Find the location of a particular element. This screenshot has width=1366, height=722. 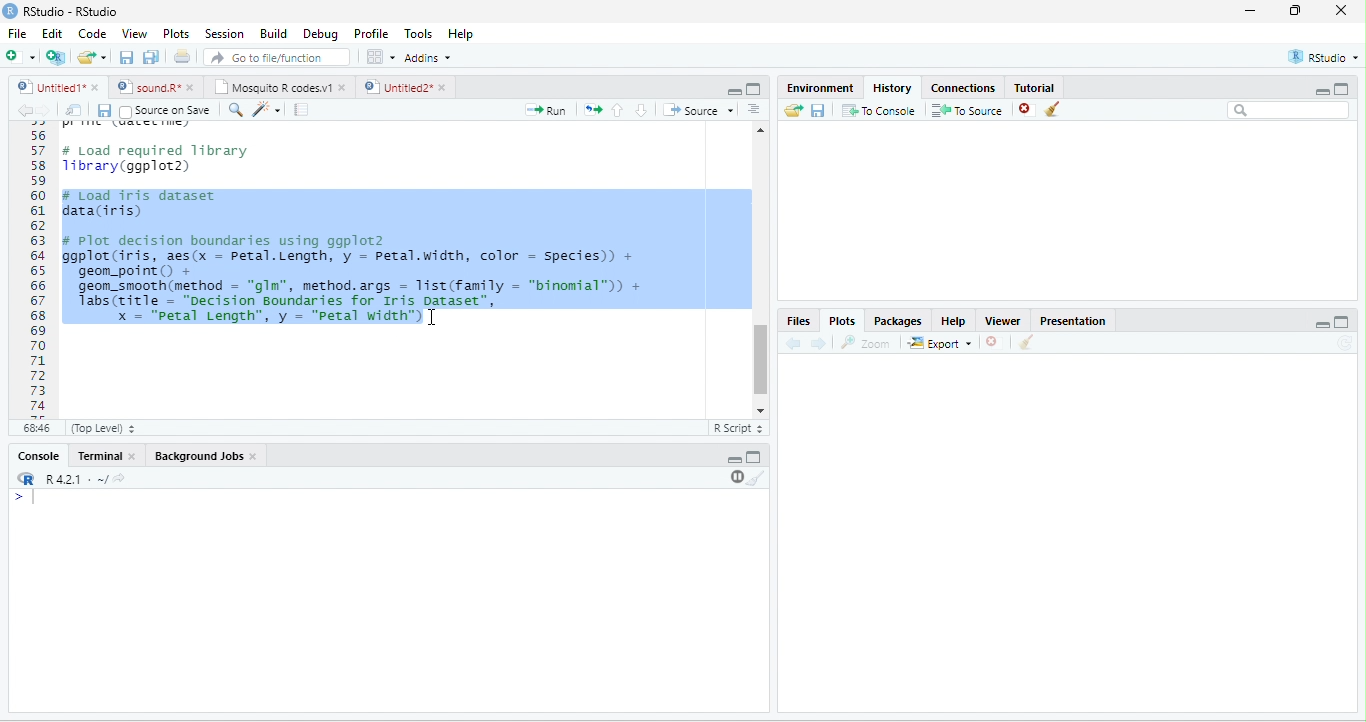

start typing is located at coordinates (28, 498).